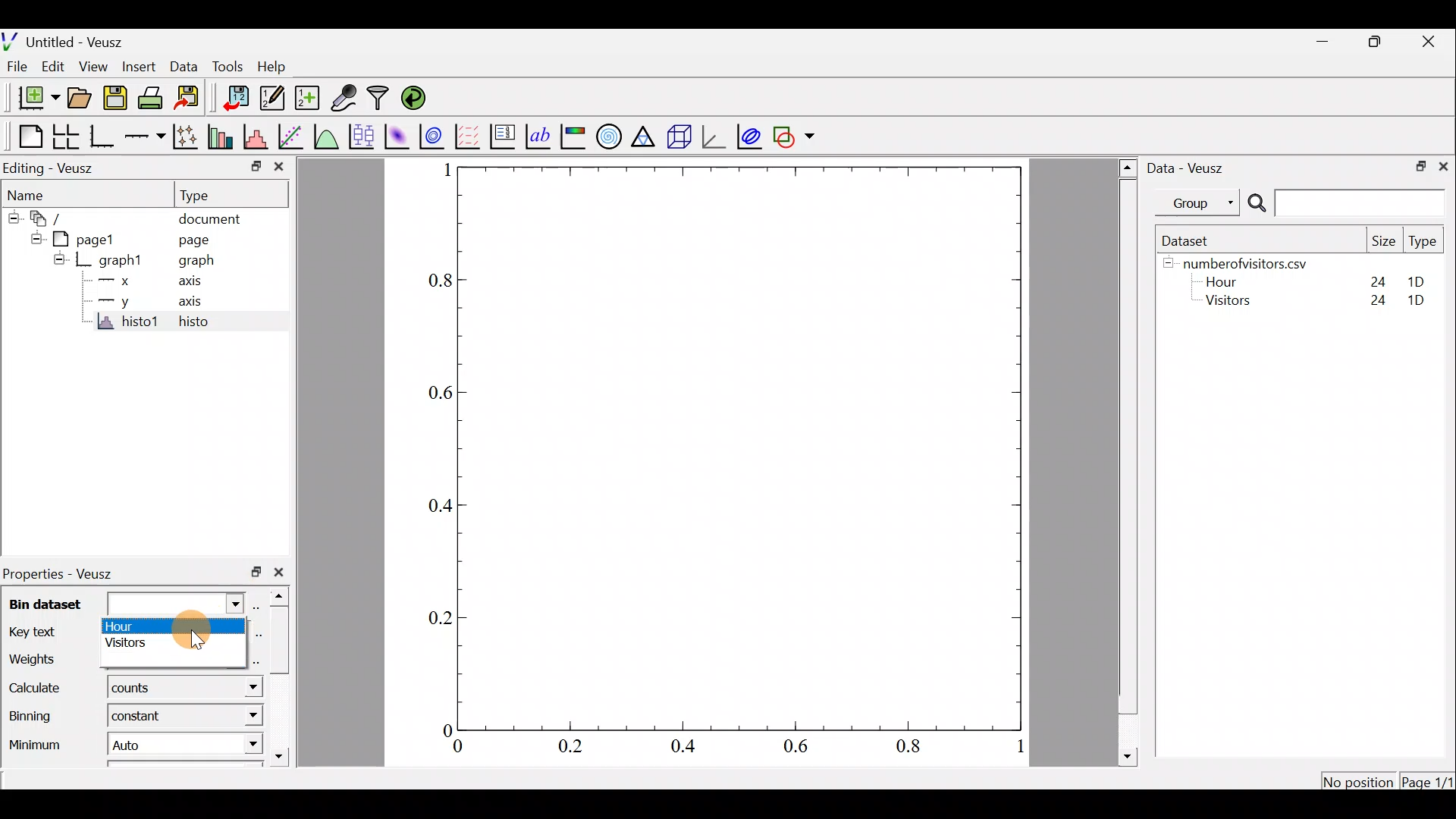 This screenshot has width=1456, height=819. What do you see at coordinates (202, 262) in the screenshot?
I see `graph` at bounding box center [202, 262].